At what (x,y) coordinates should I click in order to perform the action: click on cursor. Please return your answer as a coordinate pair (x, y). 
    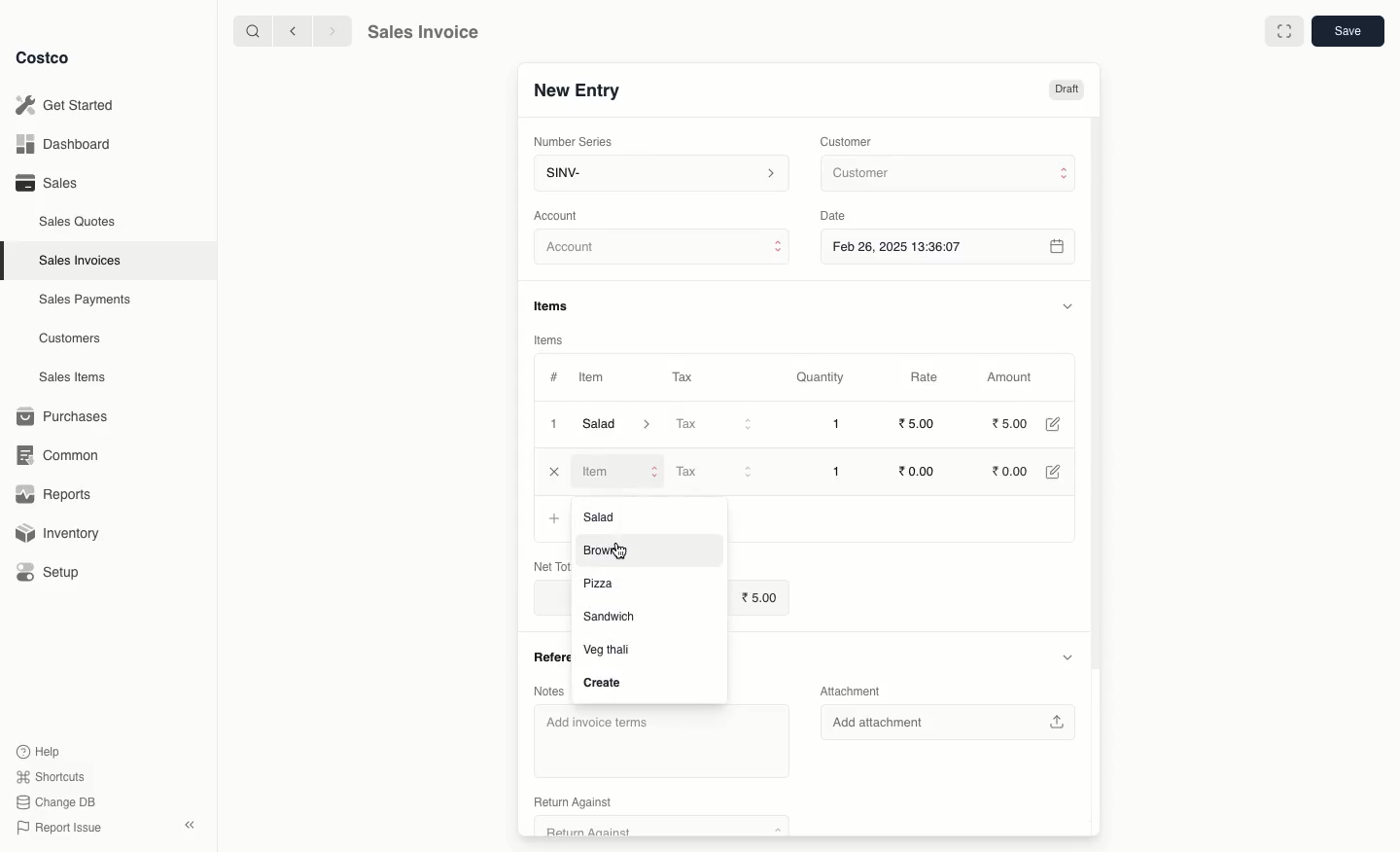
    Looking at the image, I should click on (622, 550).